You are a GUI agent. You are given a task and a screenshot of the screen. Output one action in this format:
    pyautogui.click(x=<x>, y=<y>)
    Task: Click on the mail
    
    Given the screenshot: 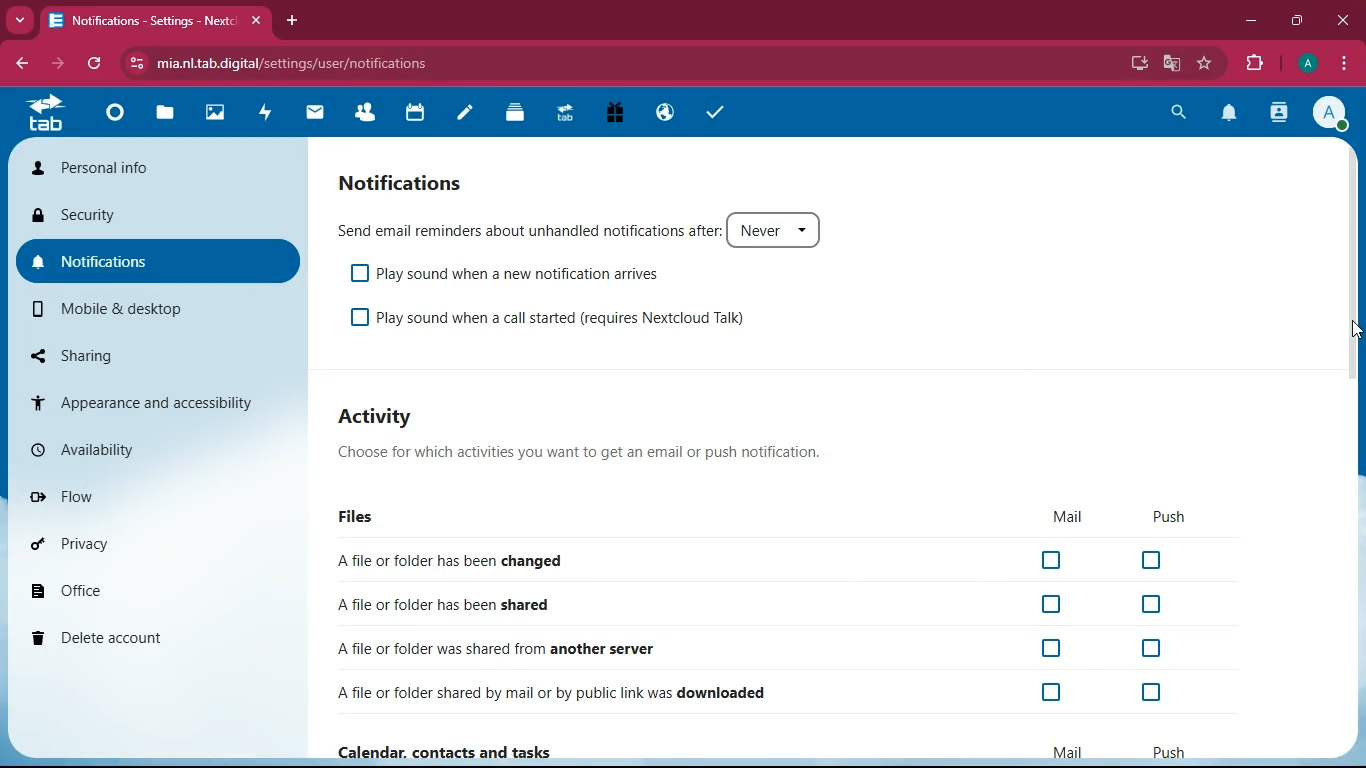 What is the action you would take?
    pyautogui.click(x=315, y=112)
    